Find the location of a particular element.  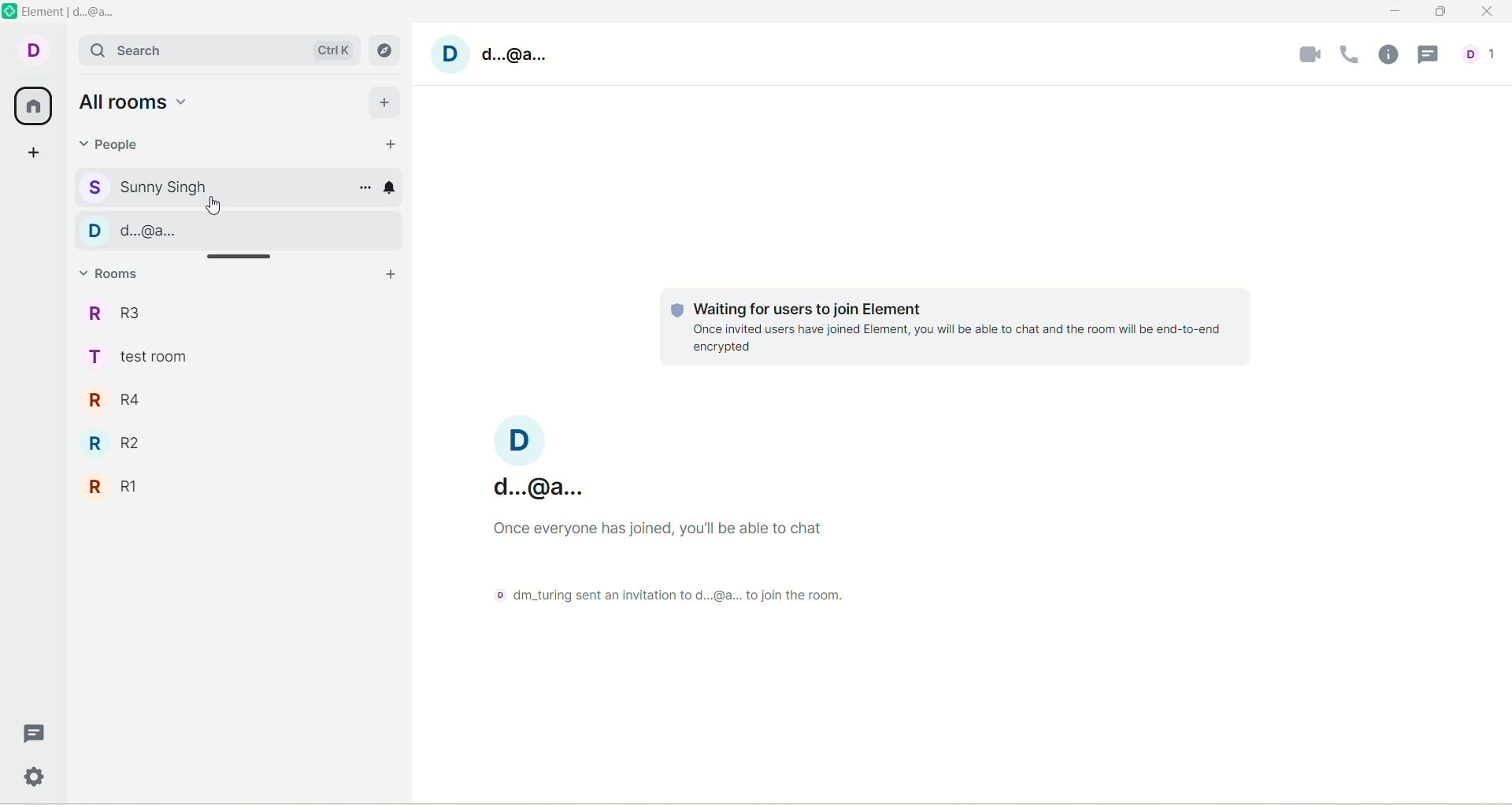

people is located at coordinates (1480, 54).